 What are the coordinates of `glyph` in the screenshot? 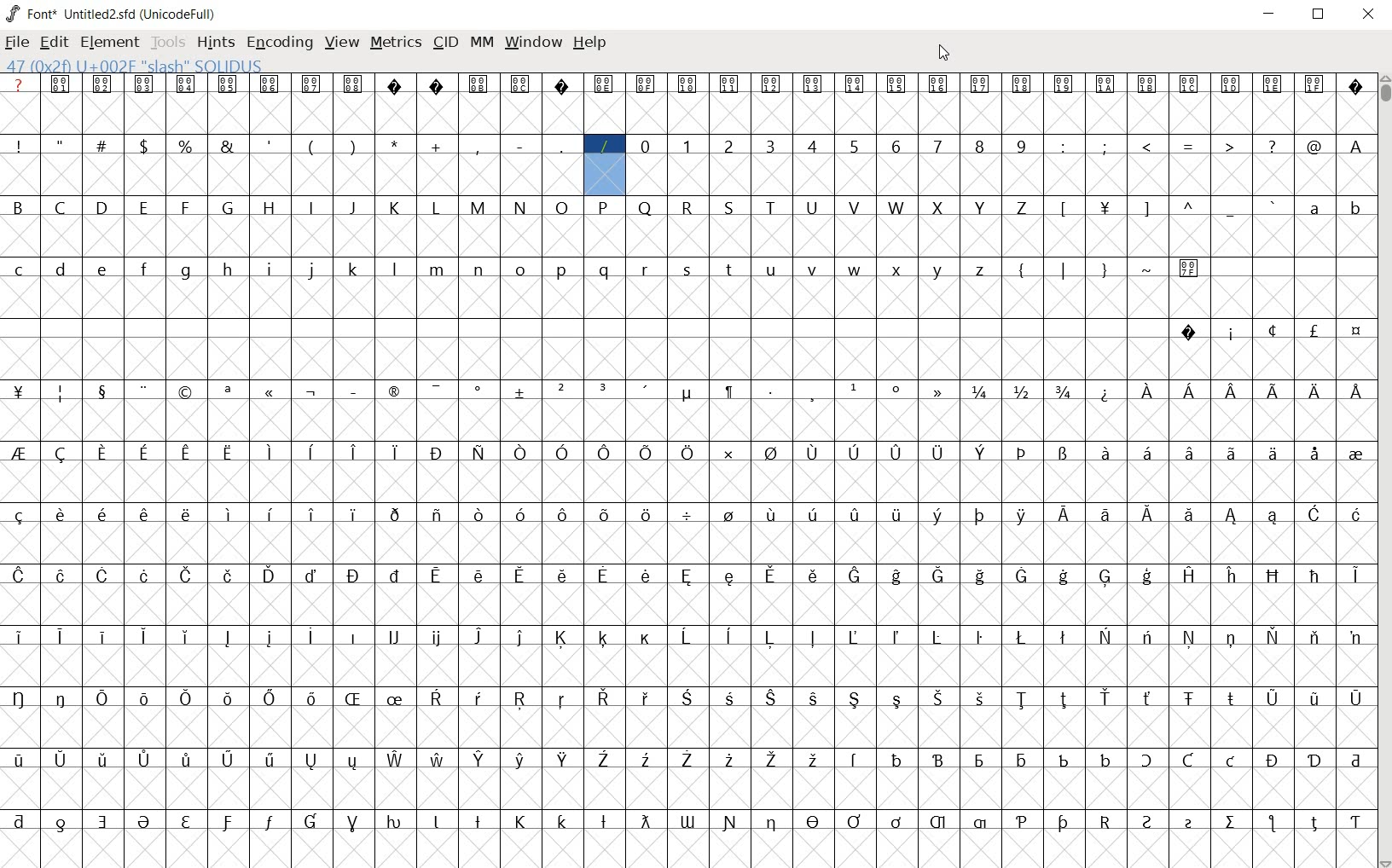 It's located at (1064, 576).